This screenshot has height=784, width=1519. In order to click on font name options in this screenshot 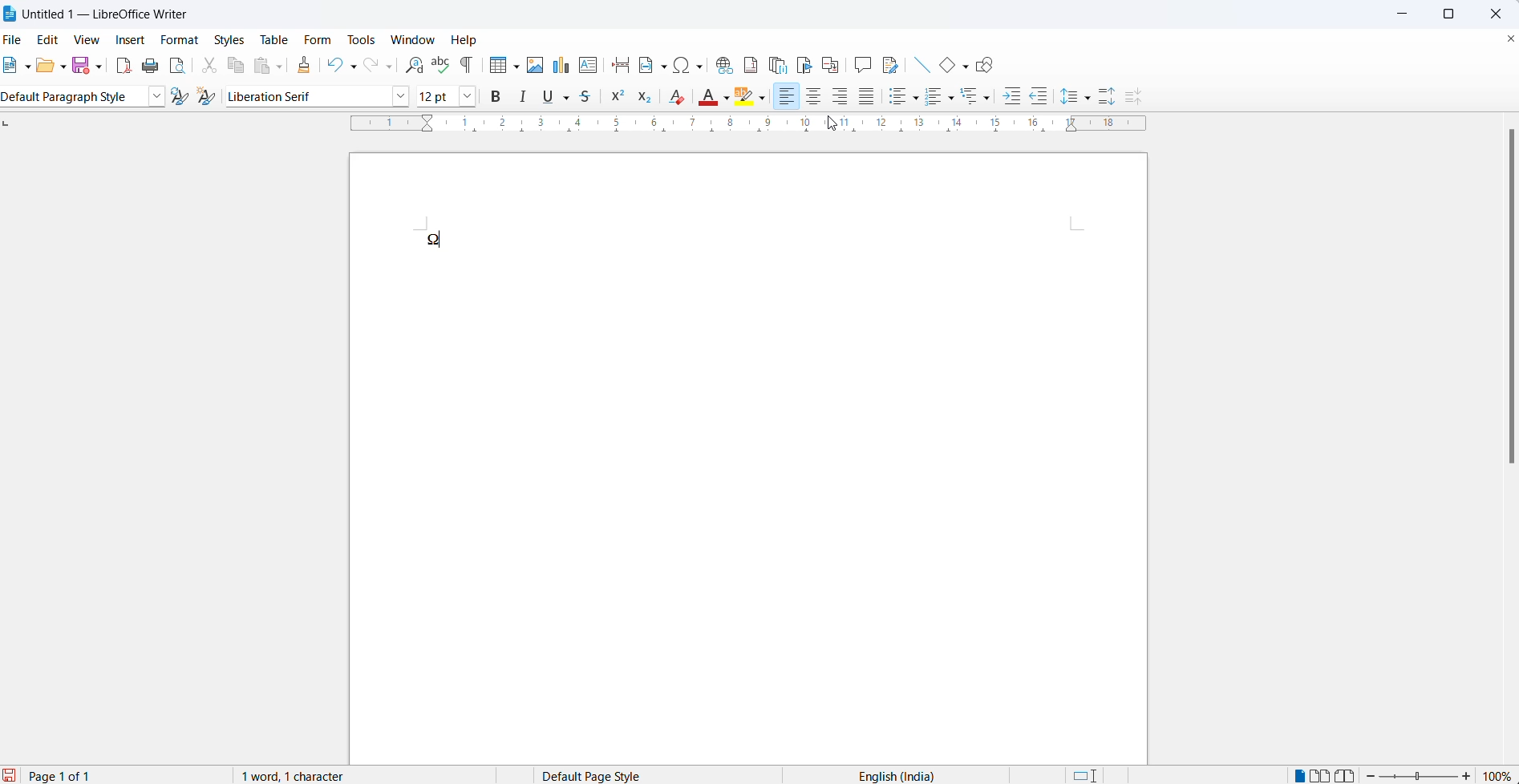, I will do `click(401, 96)`.